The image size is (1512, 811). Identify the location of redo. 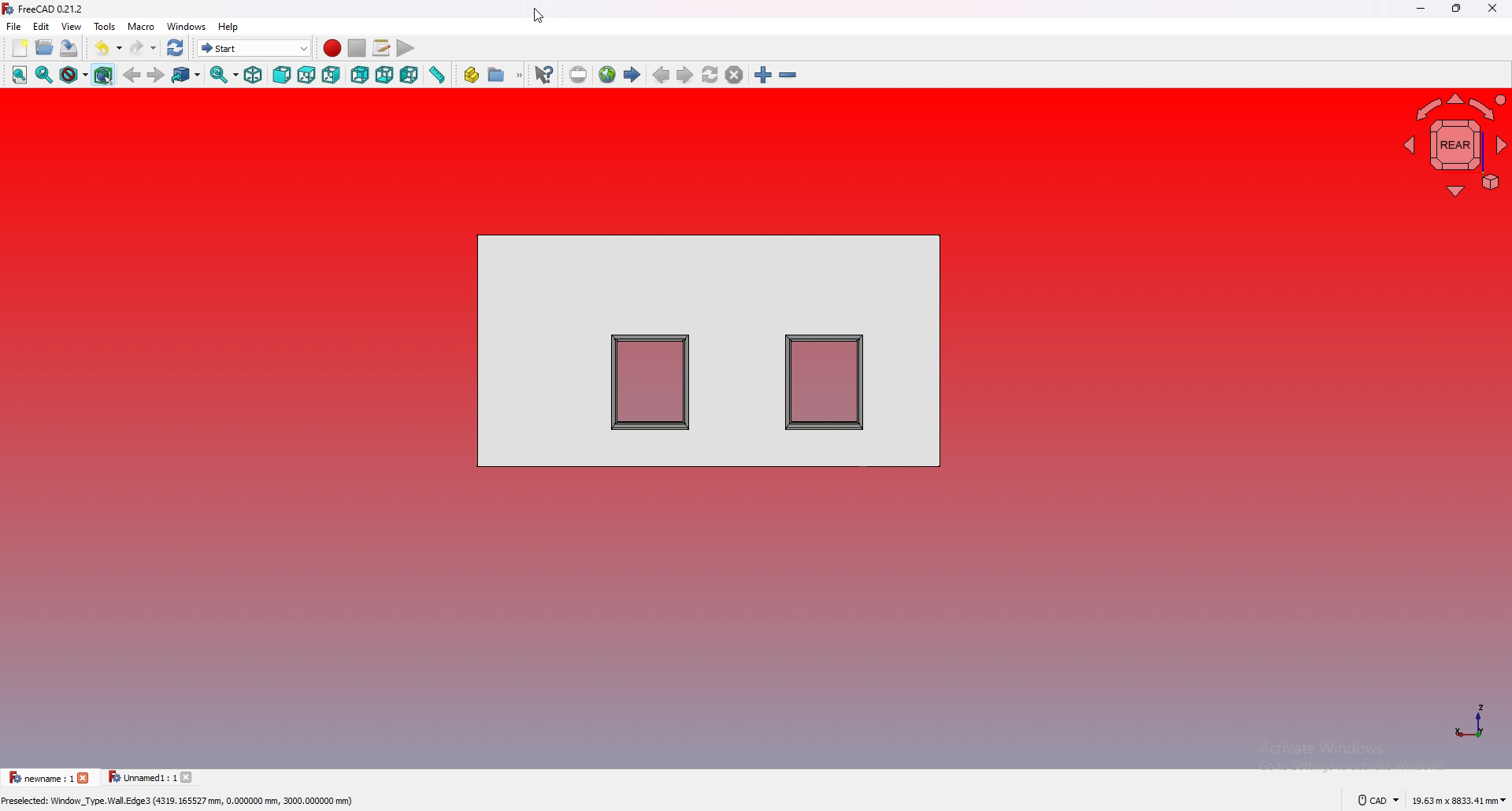
(143, 47).